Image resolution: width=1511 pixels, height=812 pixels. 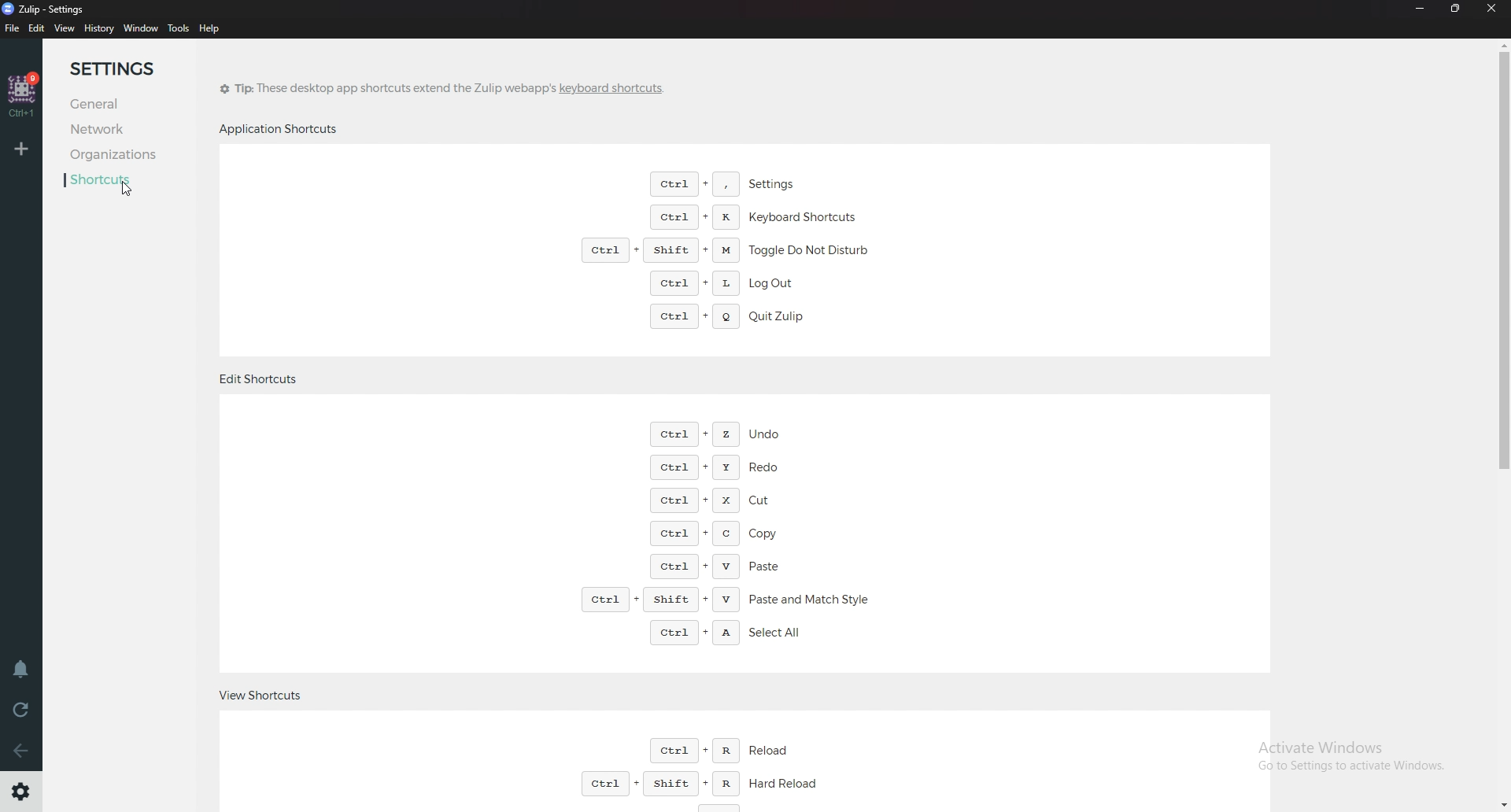 I want to click on Settings, so click(x=118, y=70).